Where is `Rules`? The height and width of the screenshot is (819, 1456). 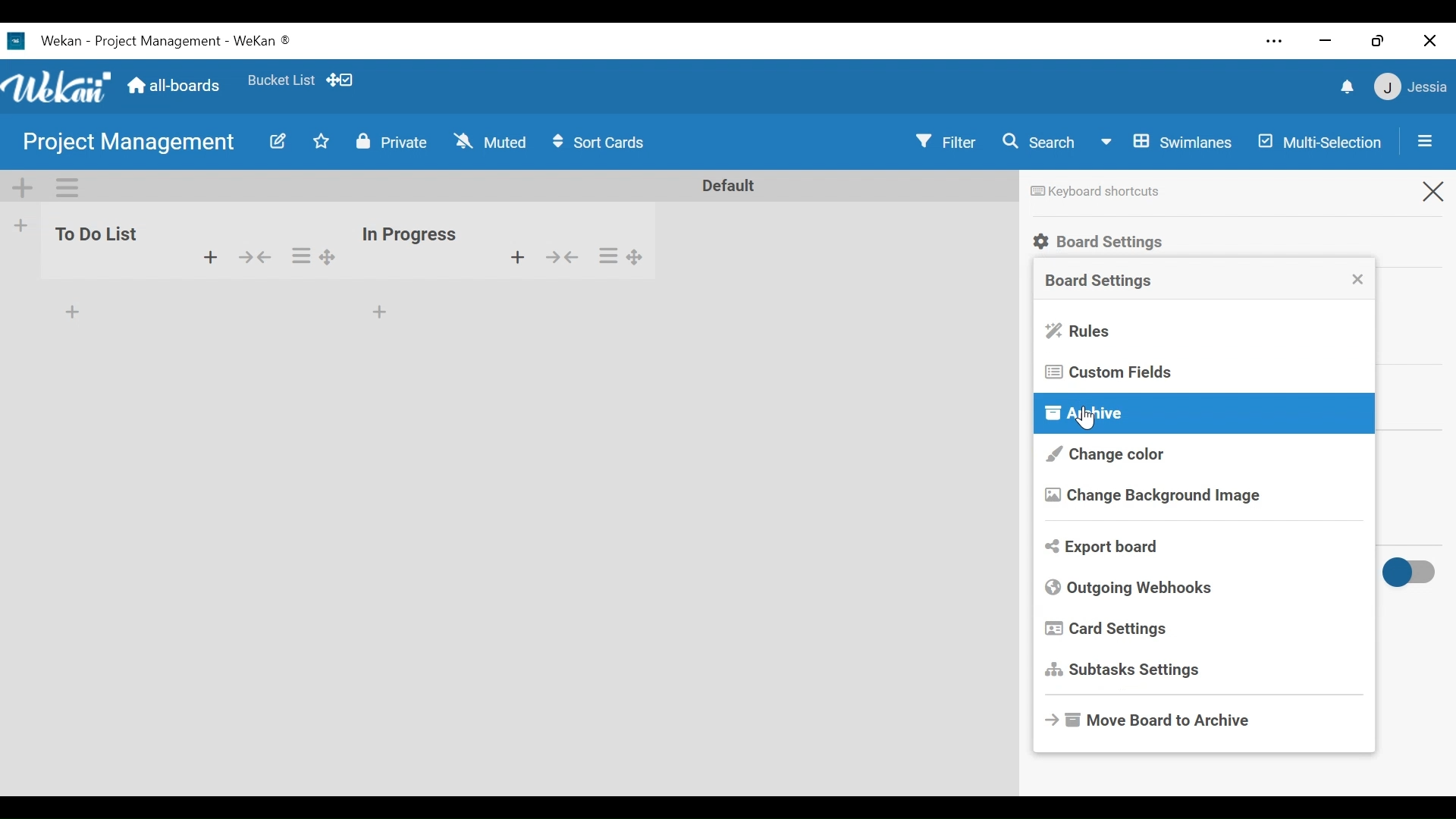
Rules is located at coordinates (1082, 331).